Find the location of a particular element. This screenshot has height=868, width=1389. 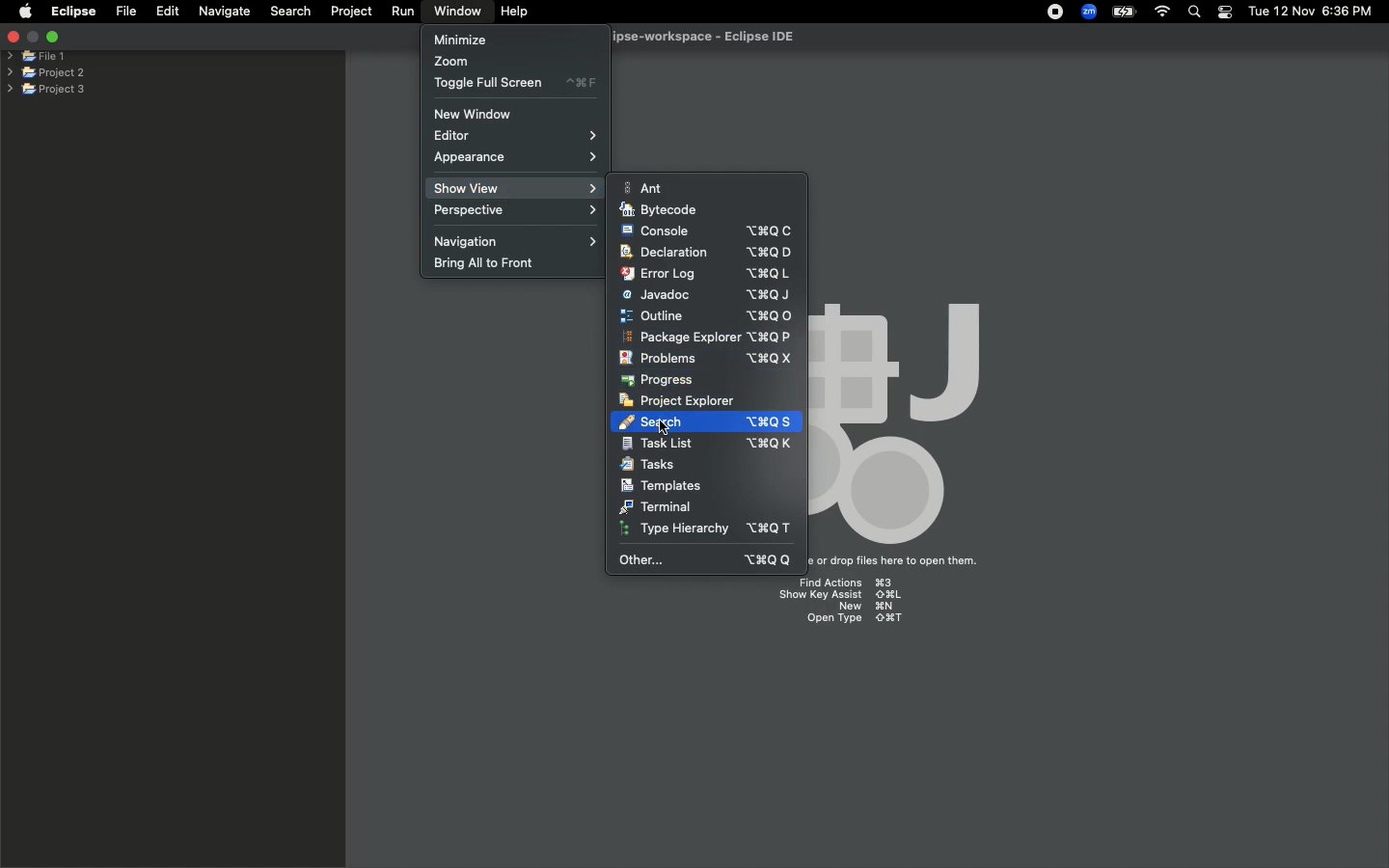

Templates is located at coordinates (661, 485).